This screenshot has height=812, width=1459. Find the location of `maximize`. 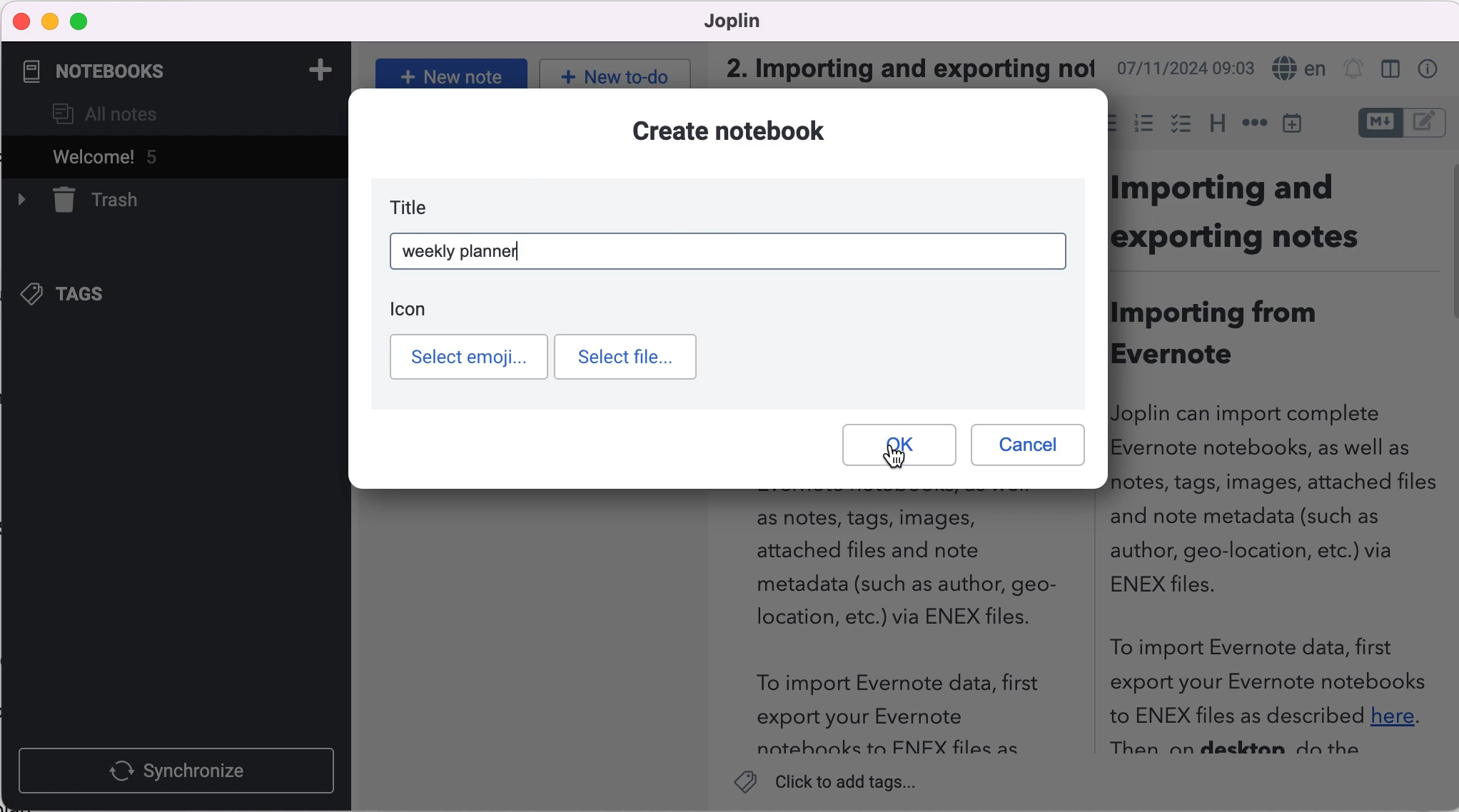

maximize is located at coordinates (82, 22).